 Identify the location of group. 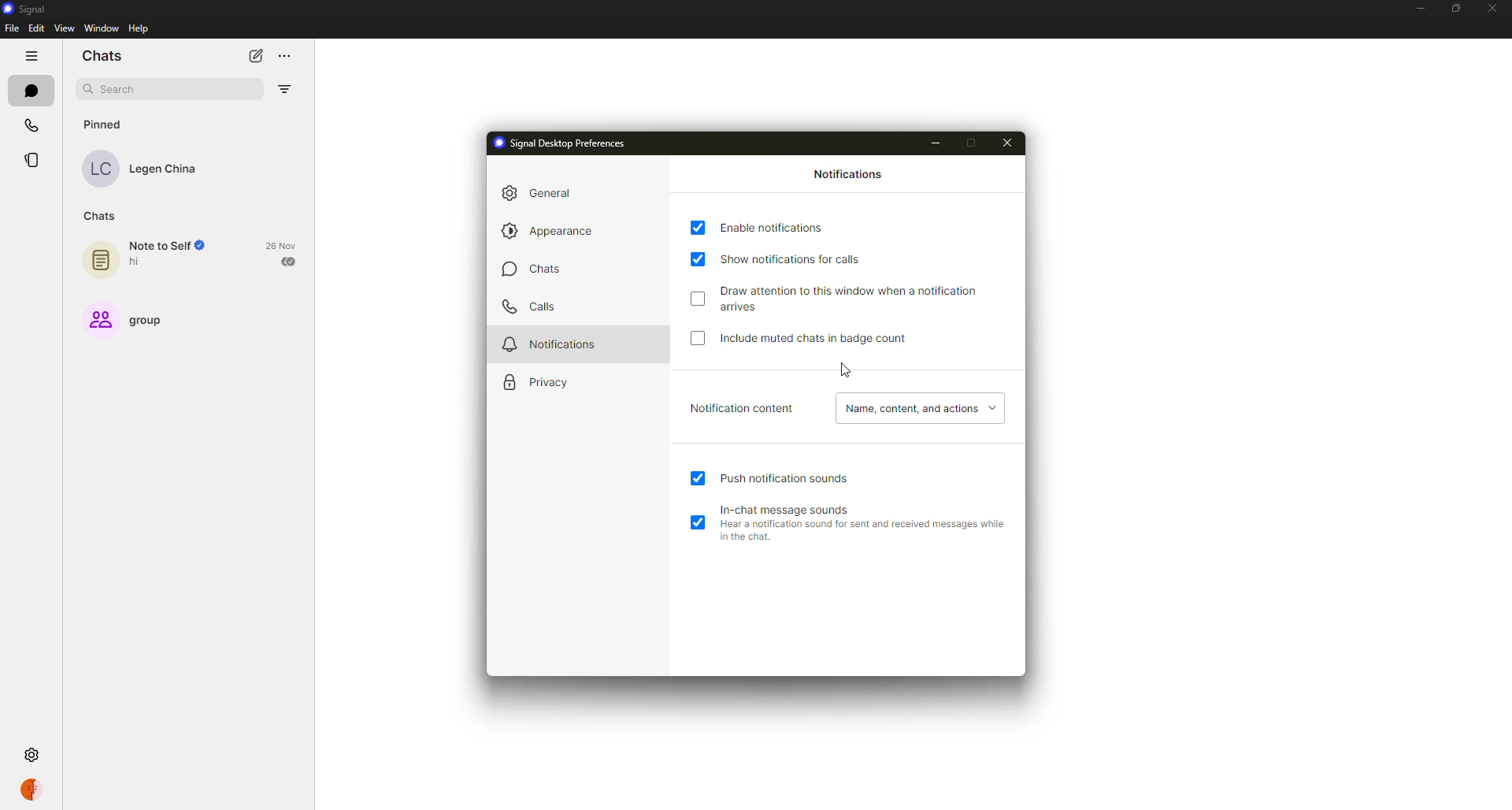
(129, 319).